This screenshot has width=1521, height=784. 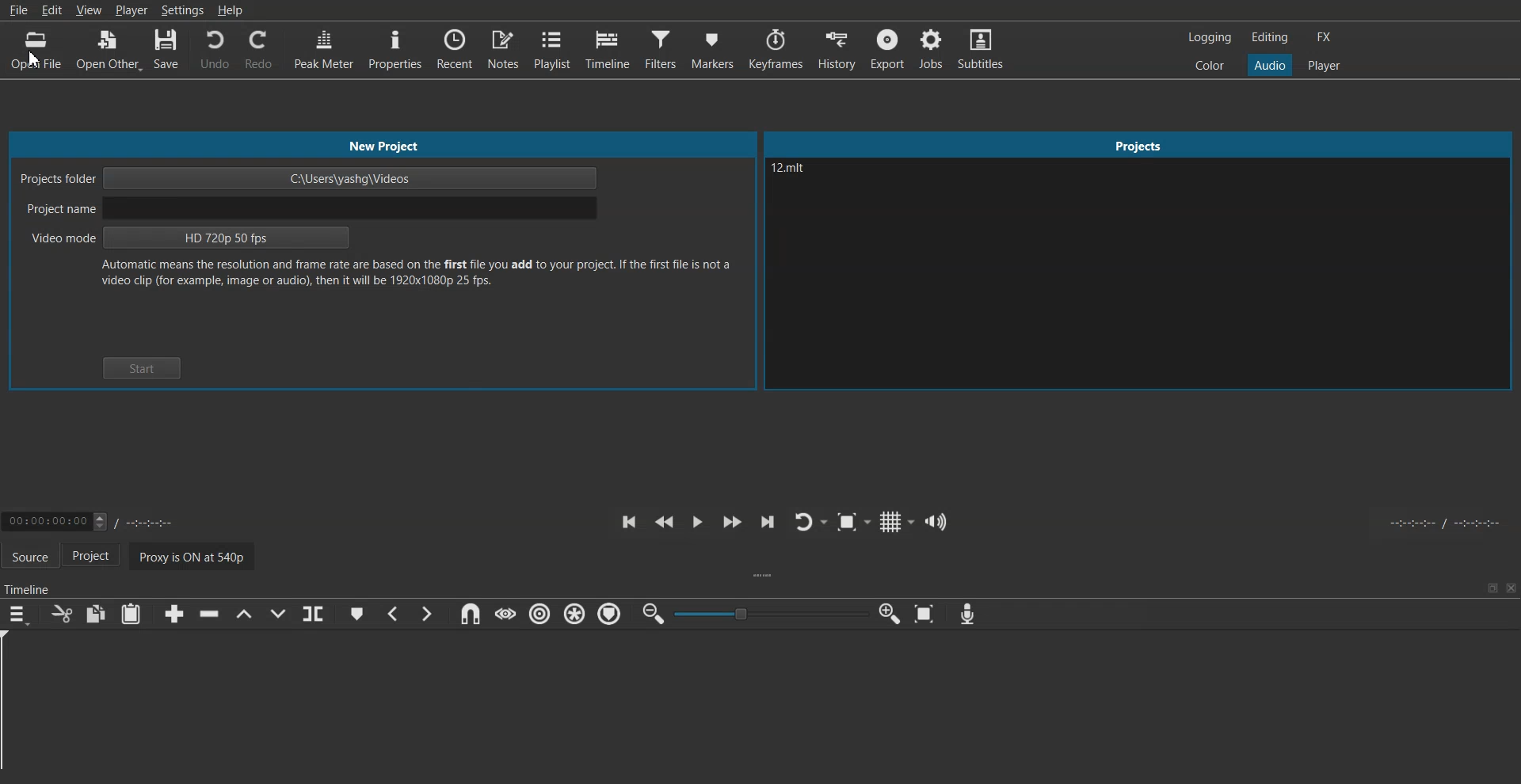 I want to click on Switch to the logging layout, so click(x=1208, y=37).